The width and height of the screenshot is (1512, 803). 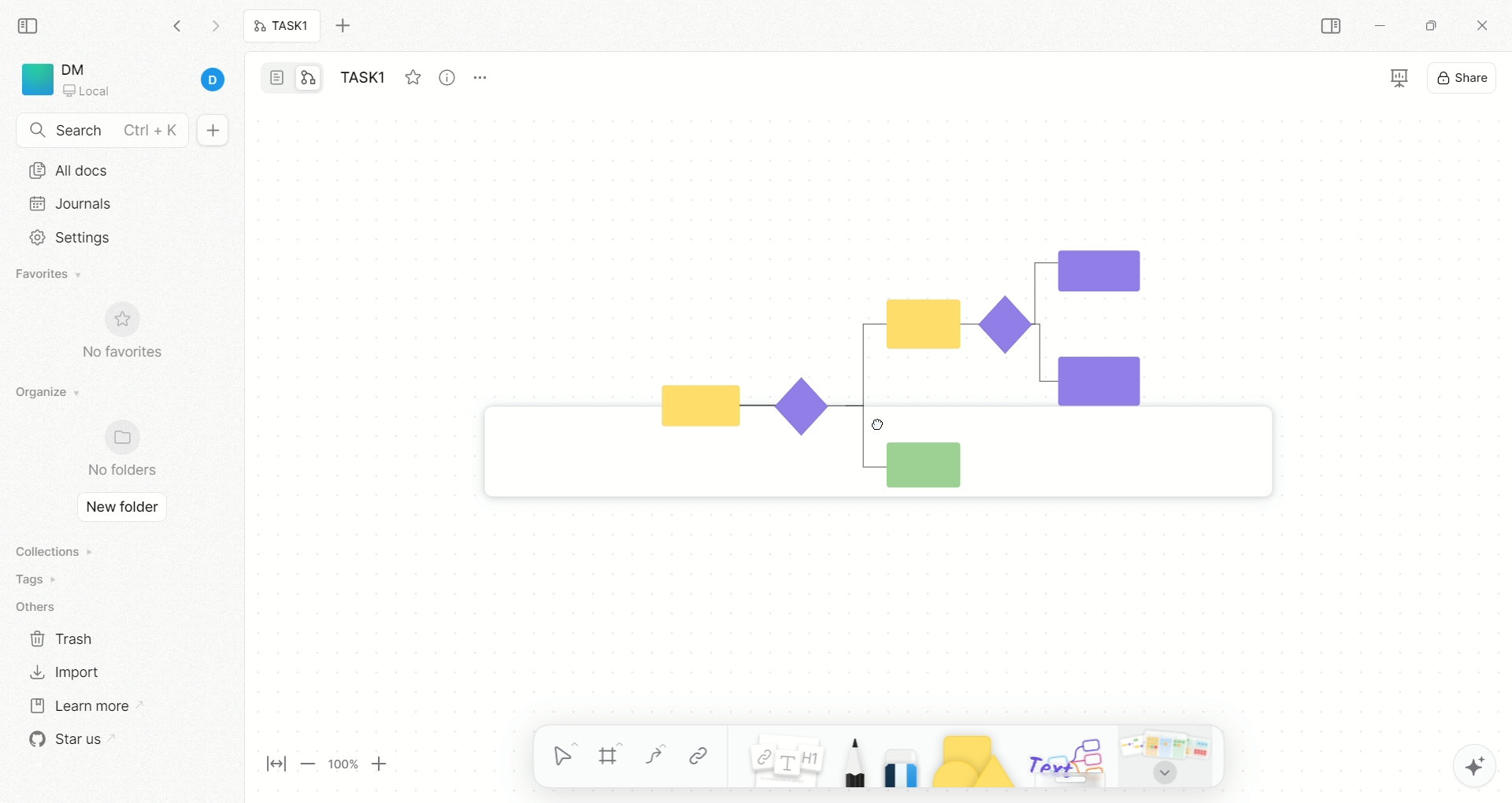 What do you see at coordinates (210, 131) in the screenshot?
I see `new document` at bounding box center [210, 131].